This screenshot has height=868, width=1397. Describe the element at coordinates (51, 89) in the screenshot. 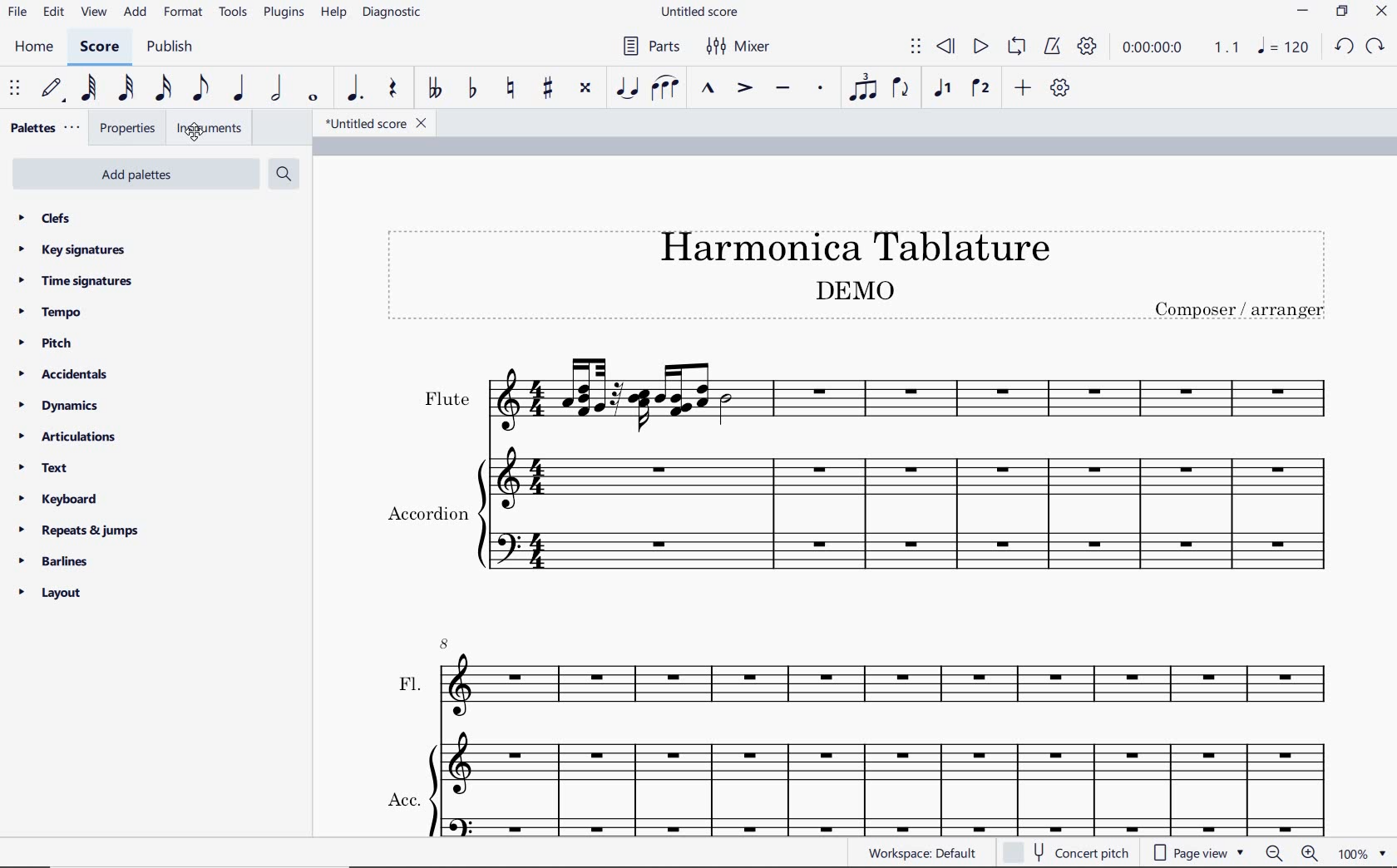

I see `default (step time)` at that location.